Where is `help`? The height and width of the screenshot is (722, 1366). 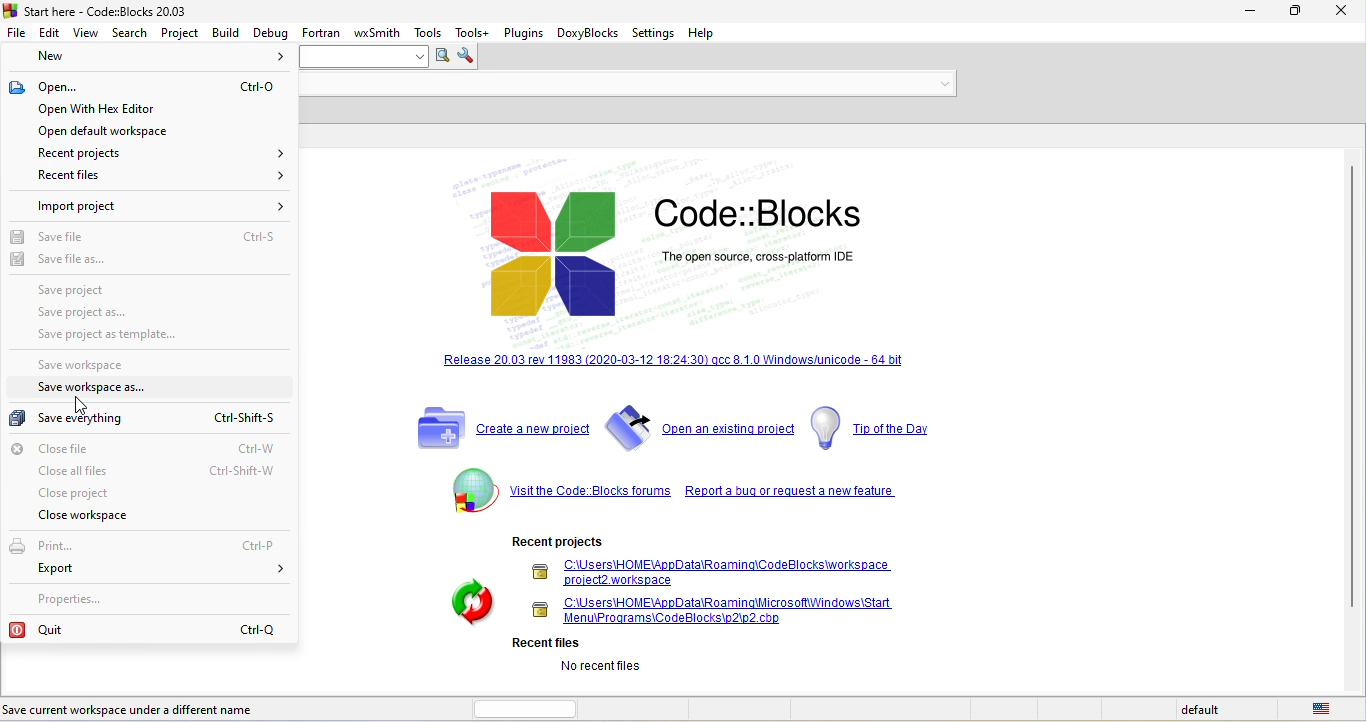 help is located at coordinates (710, 33).